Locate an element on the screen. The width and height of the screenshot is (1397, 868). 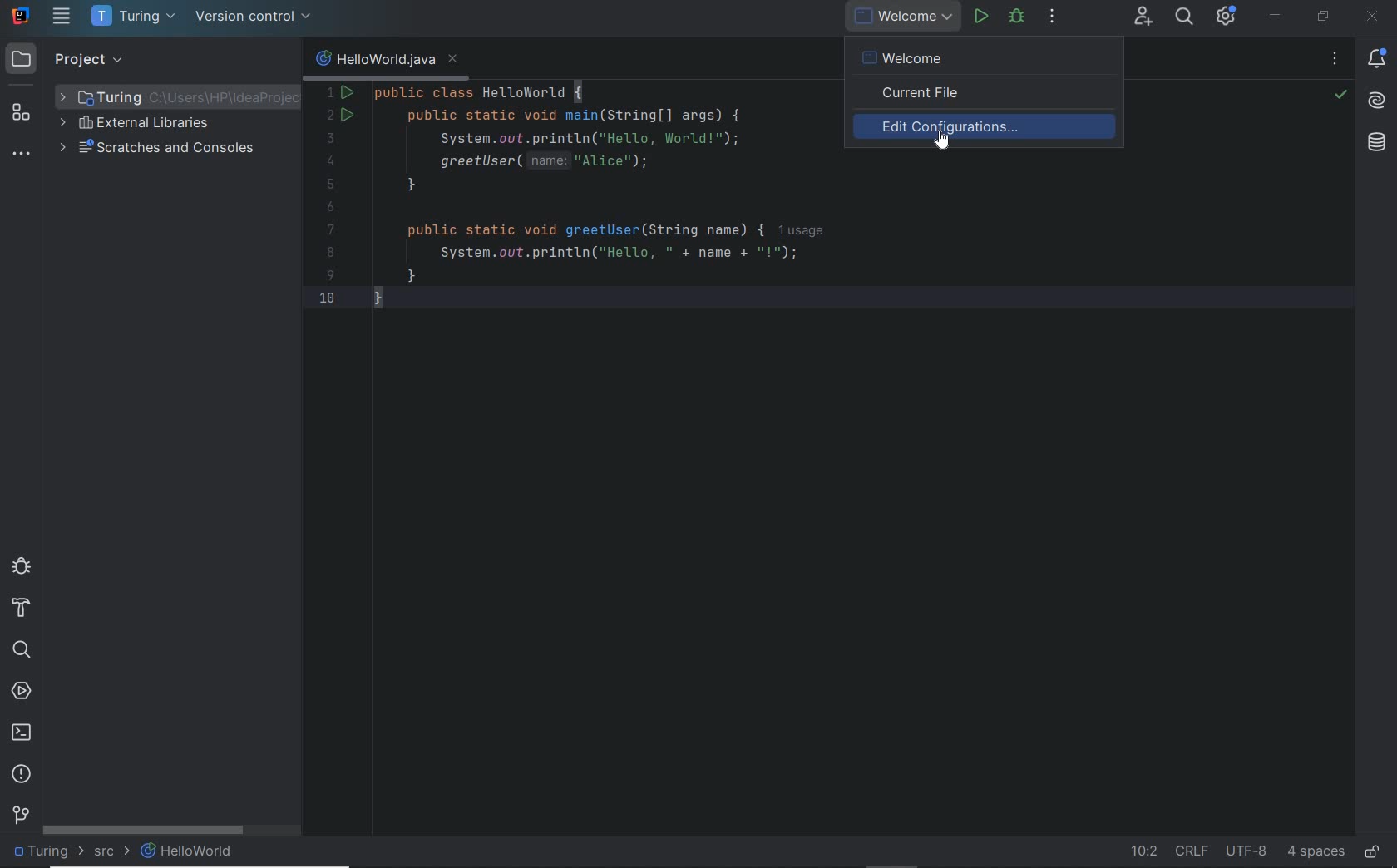
recent files, tab actions is located at coordinates (1335, 62).